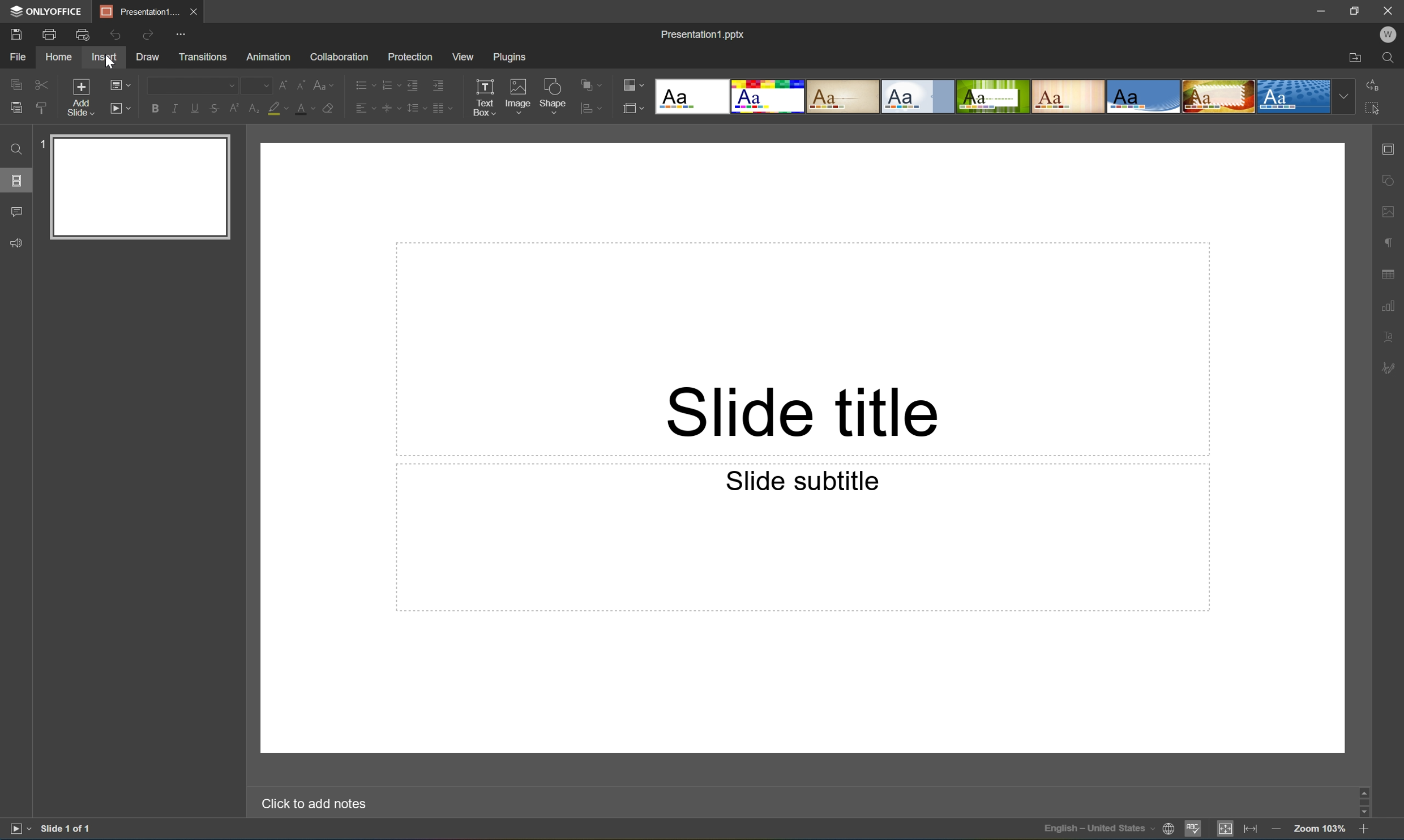 The height and width of the screenshot is (840, 1404). Describe the element at coordinates (325, 84) in the screenshot. I see `Change case` at that location.